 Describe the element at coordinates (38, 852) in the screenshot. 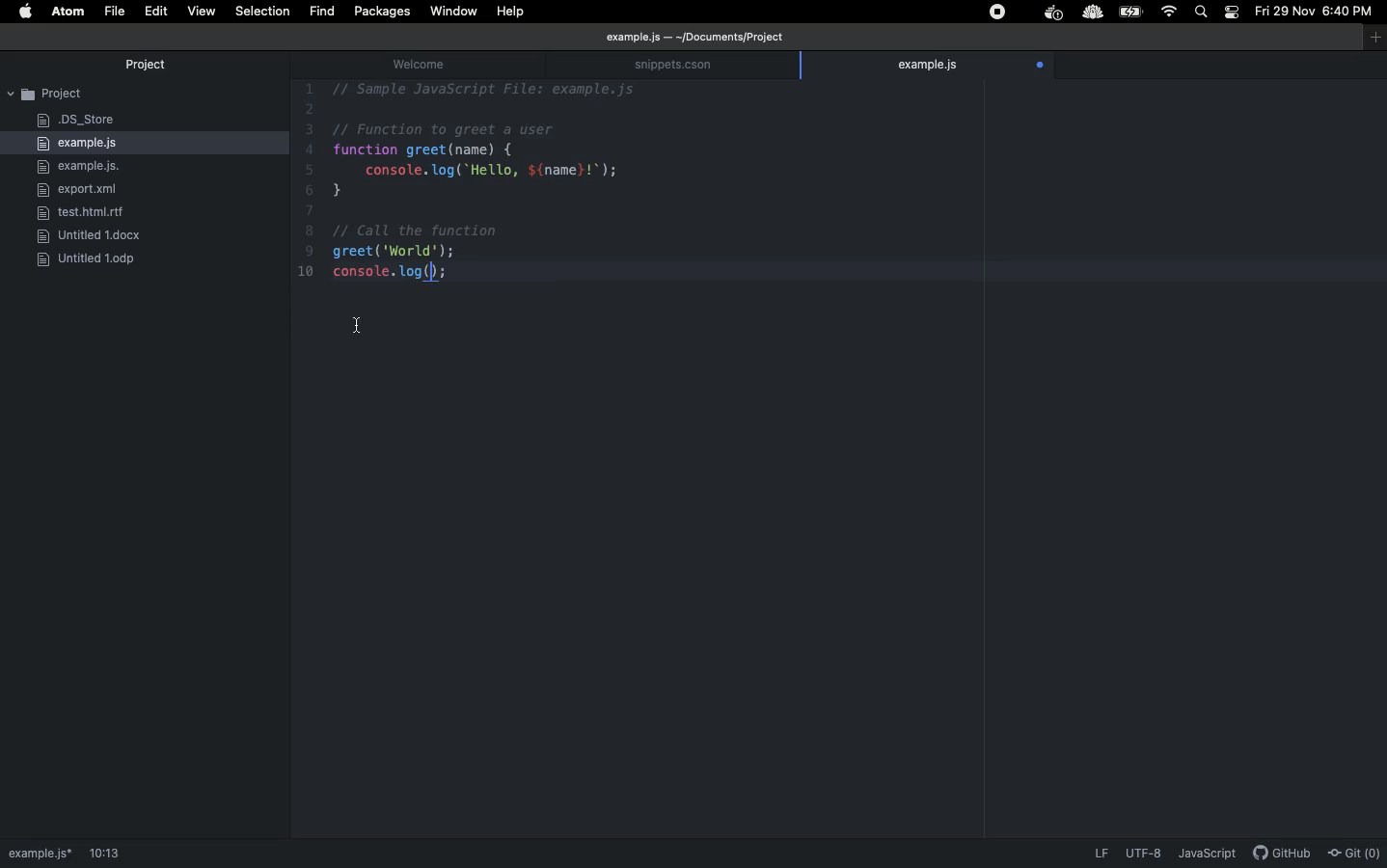

I see `path` at that location.